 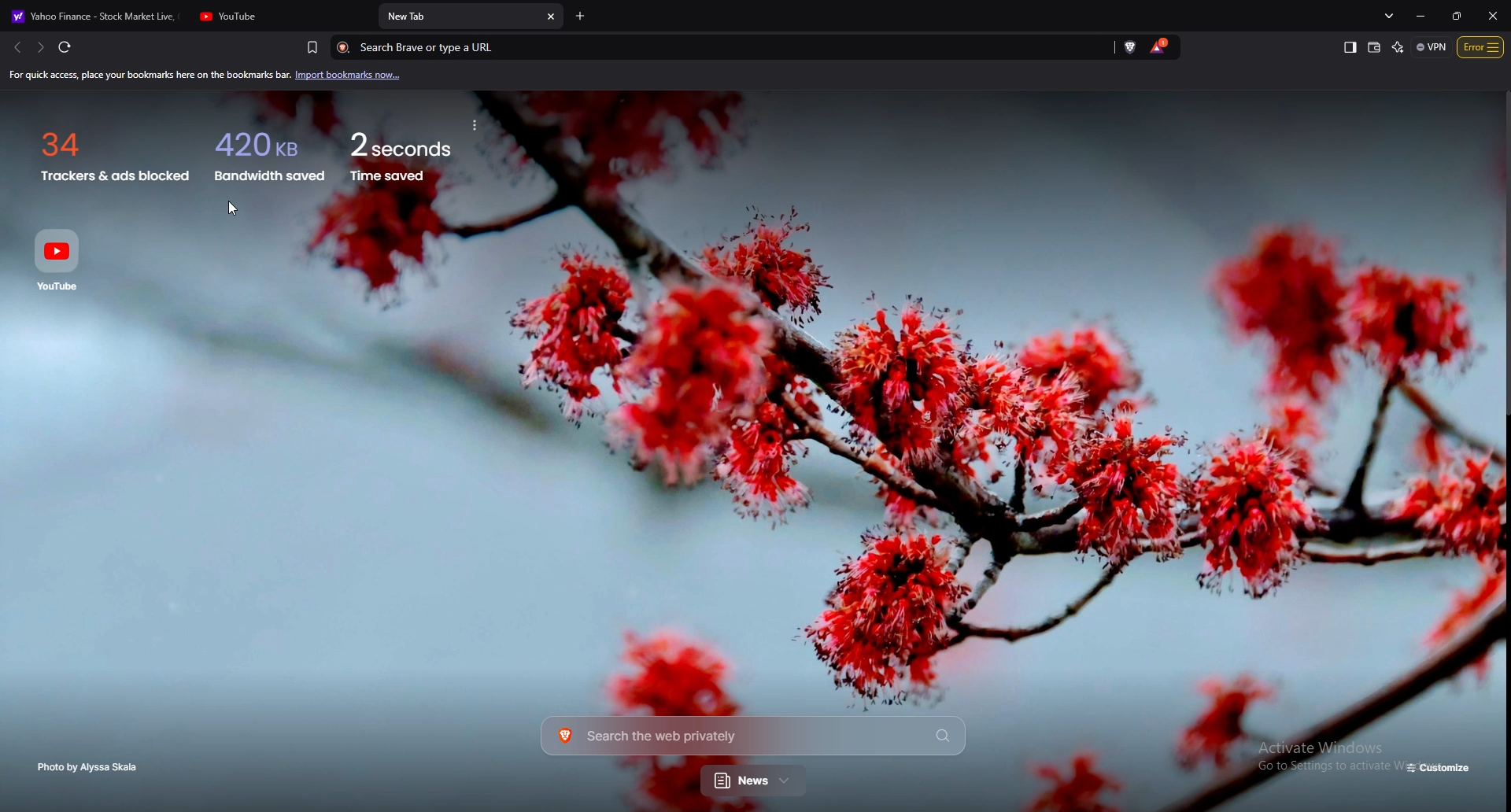 What do you see at coordinates (1432, 46) in the screenshot?
I see `vpn` at bounding box center [1432, 46].